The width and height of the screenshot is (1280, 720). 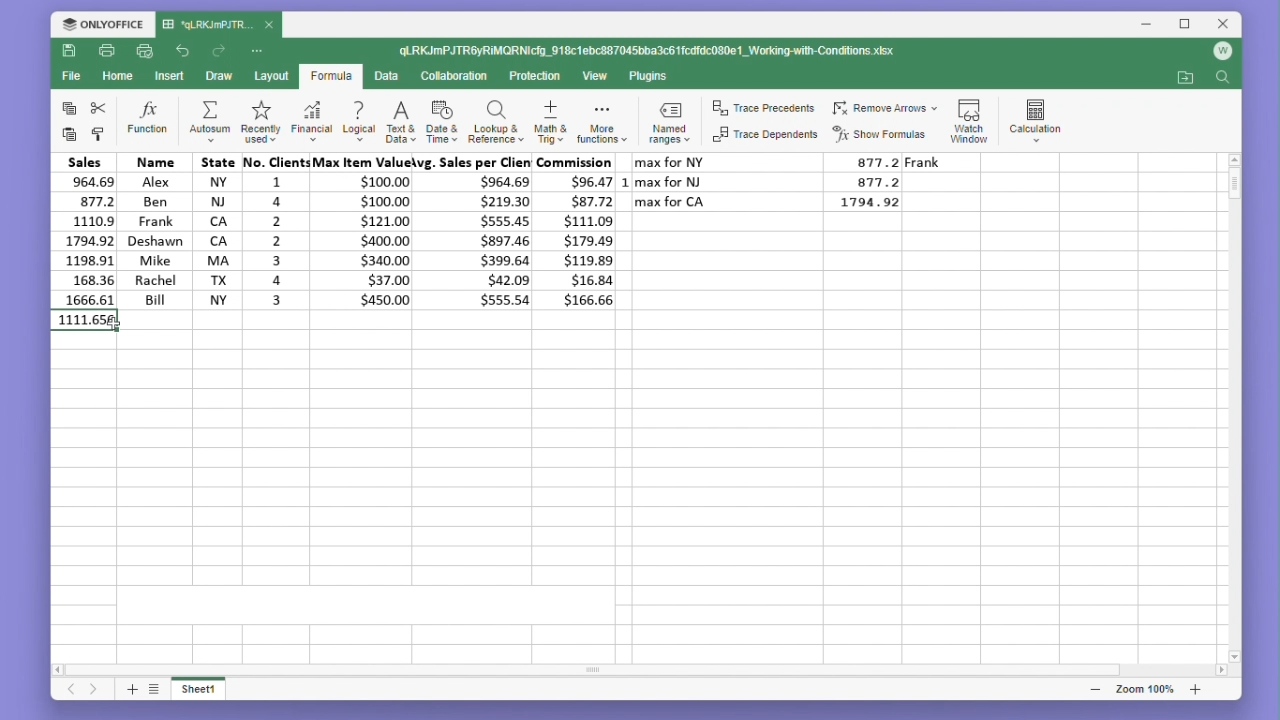 What do you see at coordinates (477, 231) in the screenshot?
I see `avg. sales per client` at bounding box center [477, 231].